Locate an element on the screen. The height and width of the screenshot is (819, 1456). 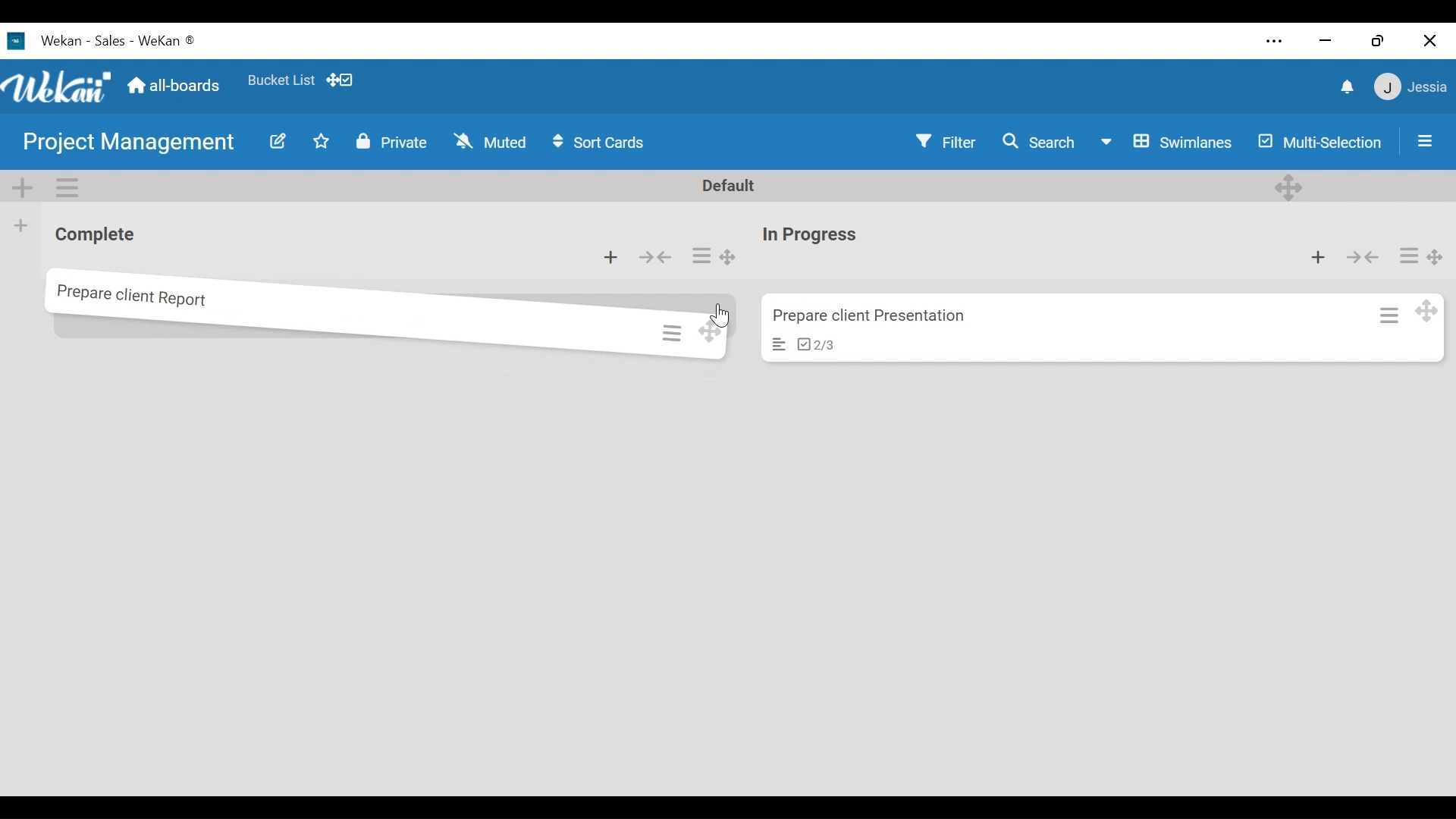
Sidebar is located at coordinates (1423, 136).